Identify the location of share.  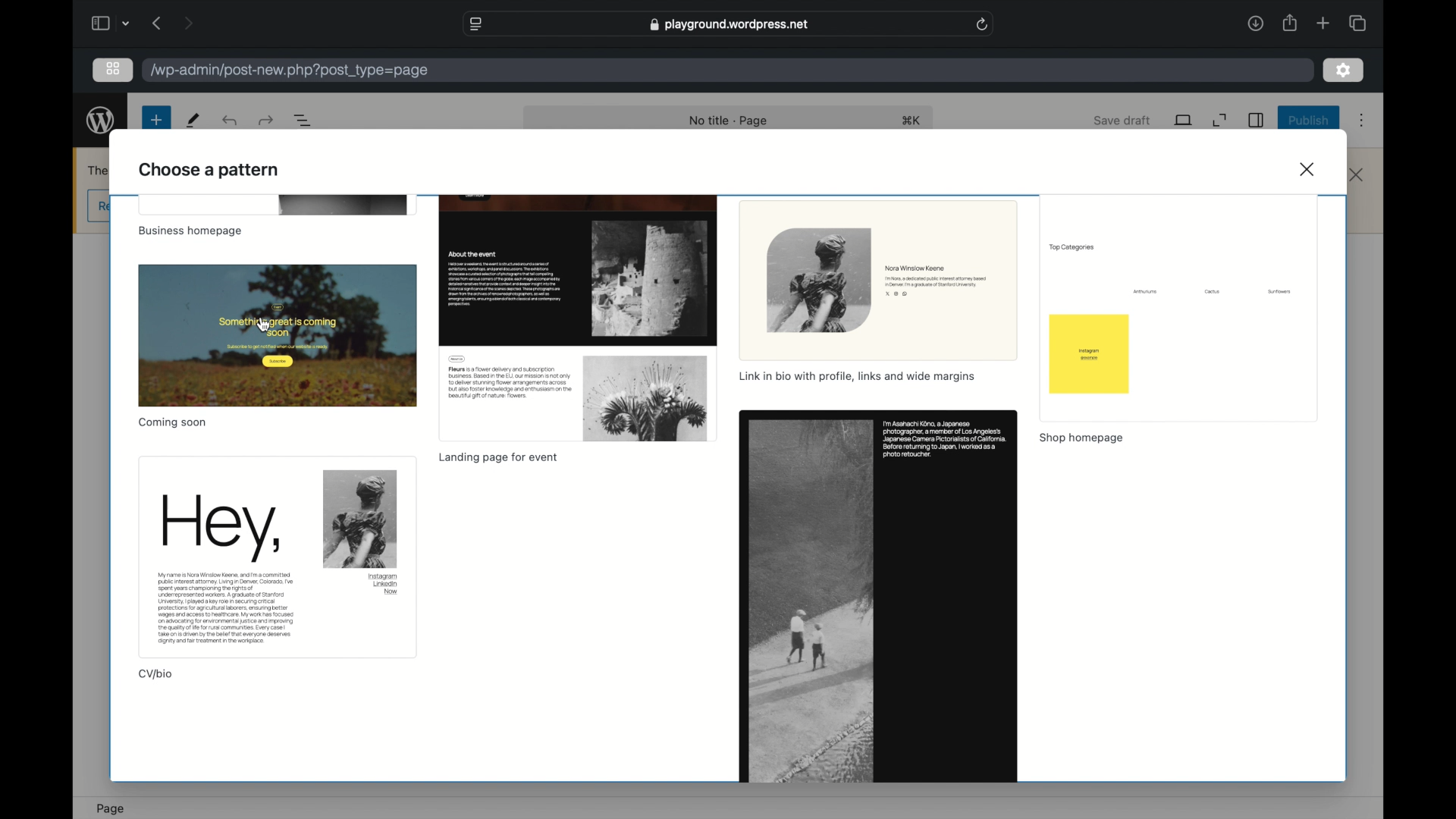
(1288, 23).